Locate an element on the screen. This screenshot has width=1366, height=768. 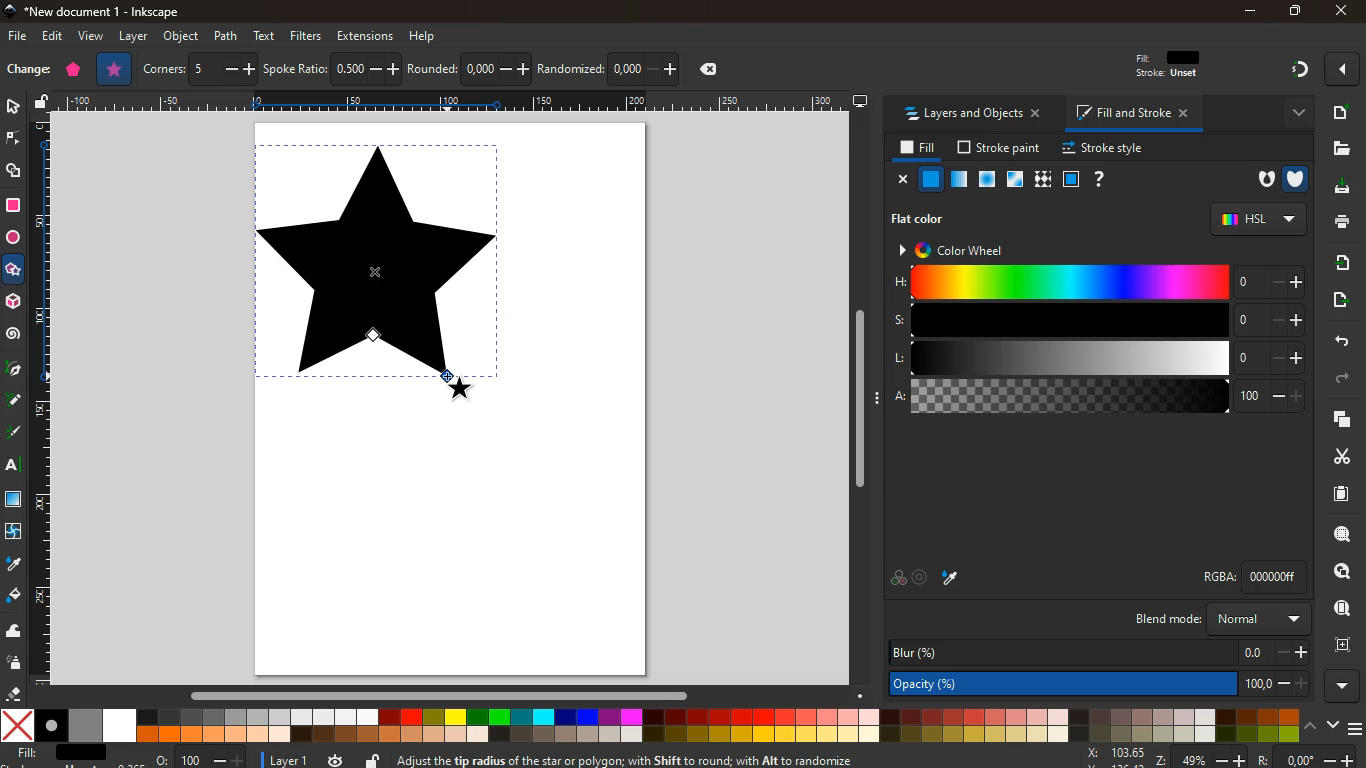
files is located at coordinates (1337, 148).